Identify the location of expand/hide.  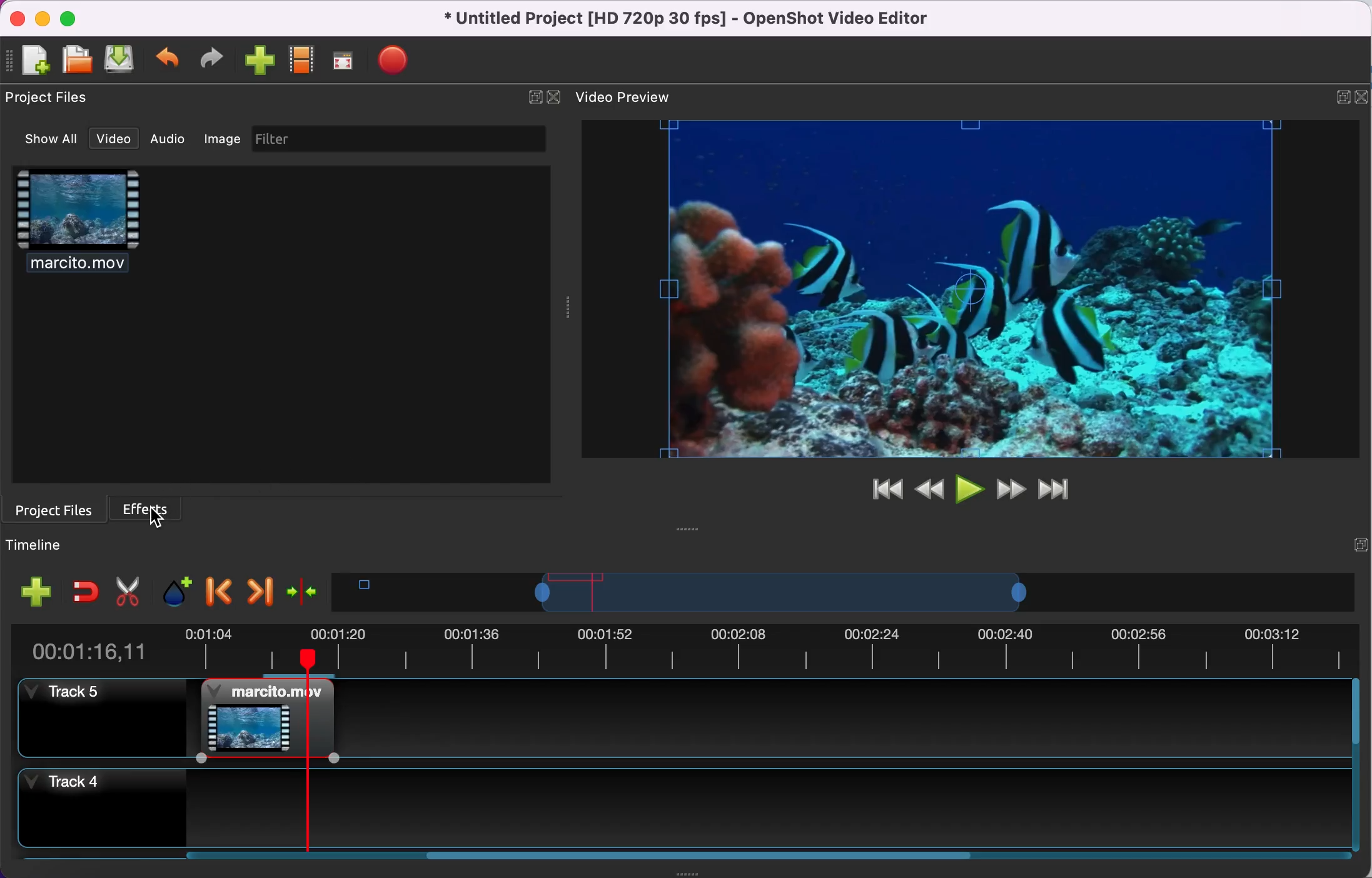
(531, 95).